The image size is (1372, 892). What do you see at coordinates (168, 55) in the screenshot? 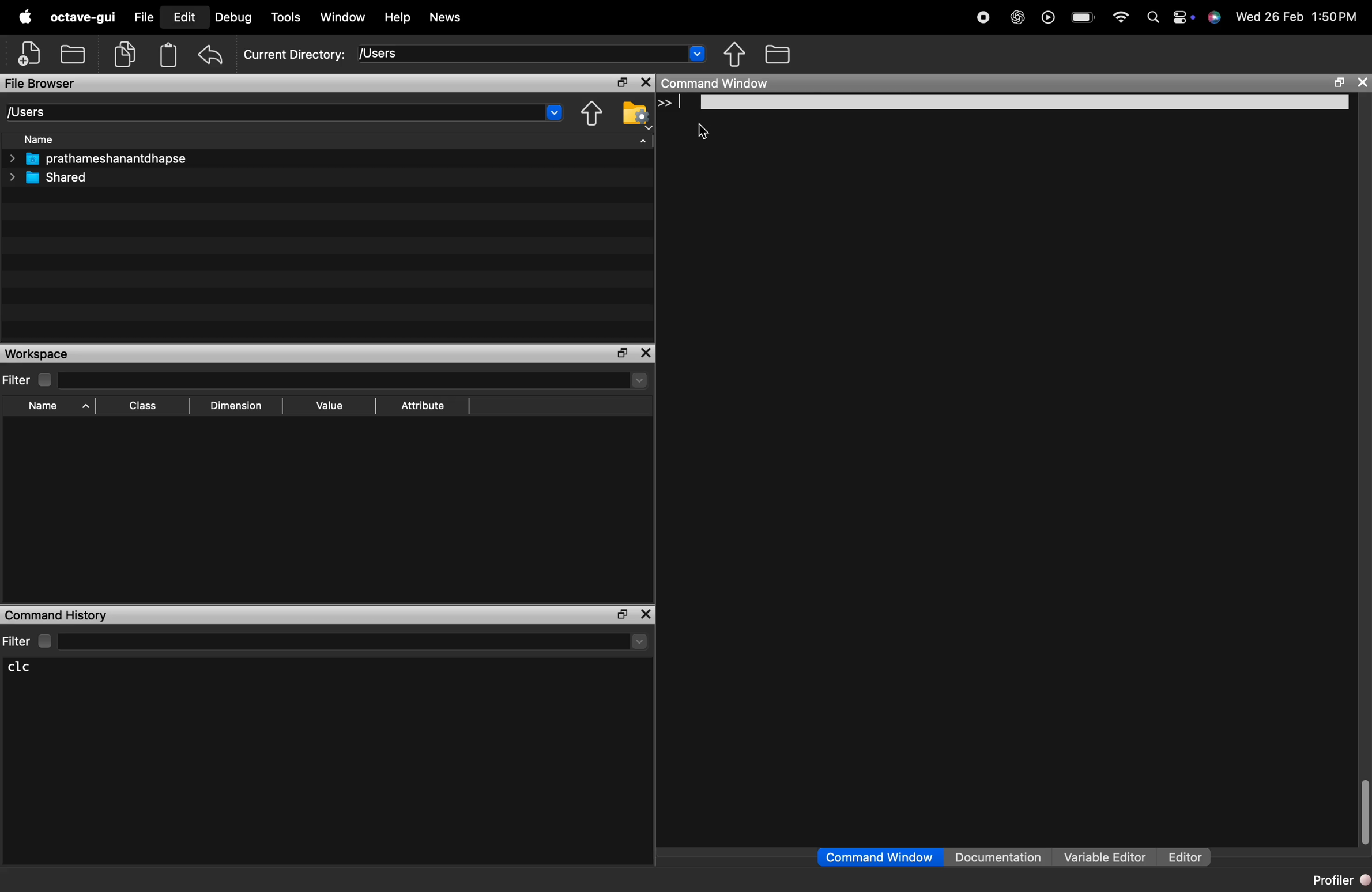
I see `paste` at bounding box center [168, 55].